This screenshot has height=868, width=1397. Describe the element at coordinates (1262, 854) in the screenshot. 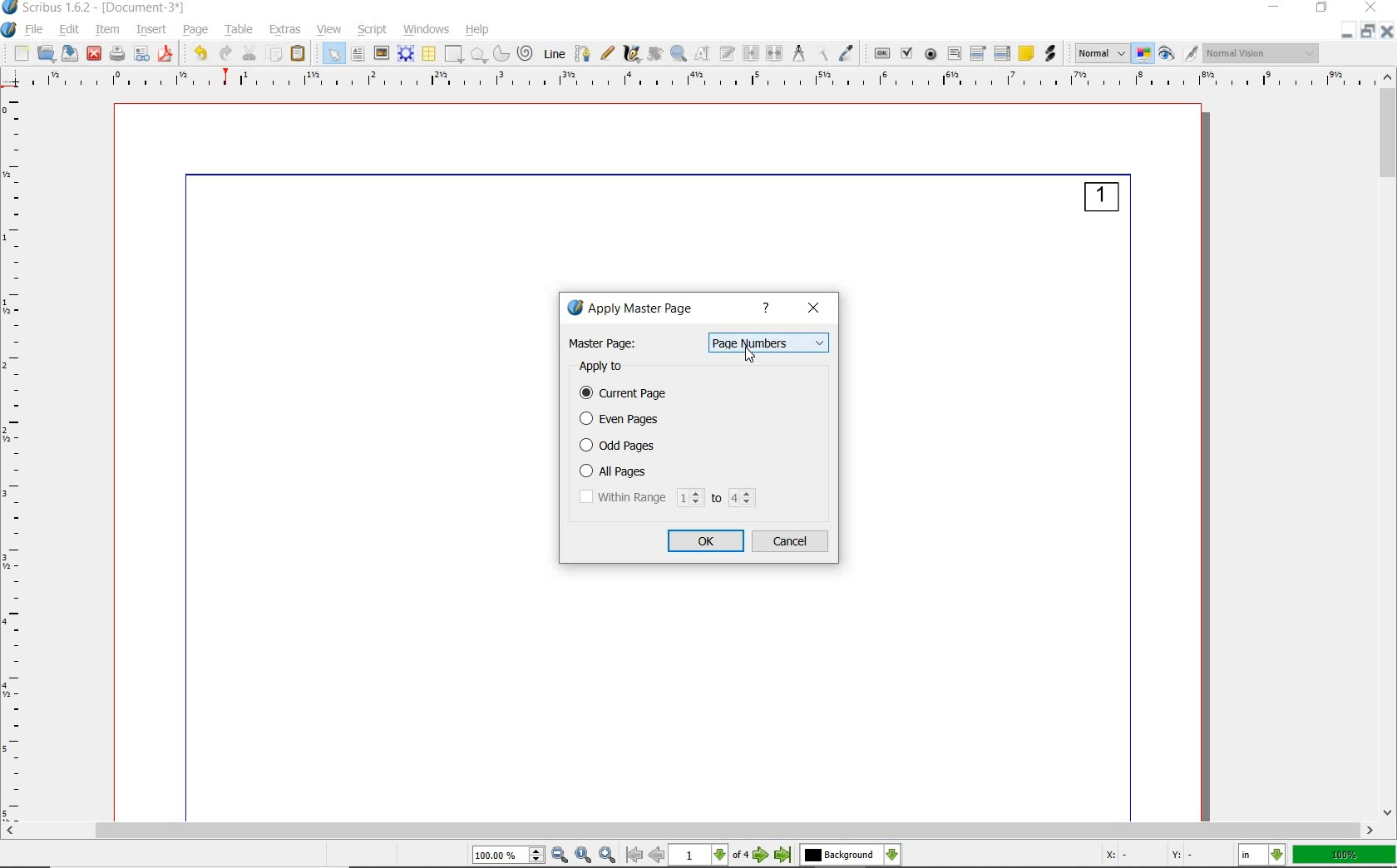

I see `select the current unit` at that location.